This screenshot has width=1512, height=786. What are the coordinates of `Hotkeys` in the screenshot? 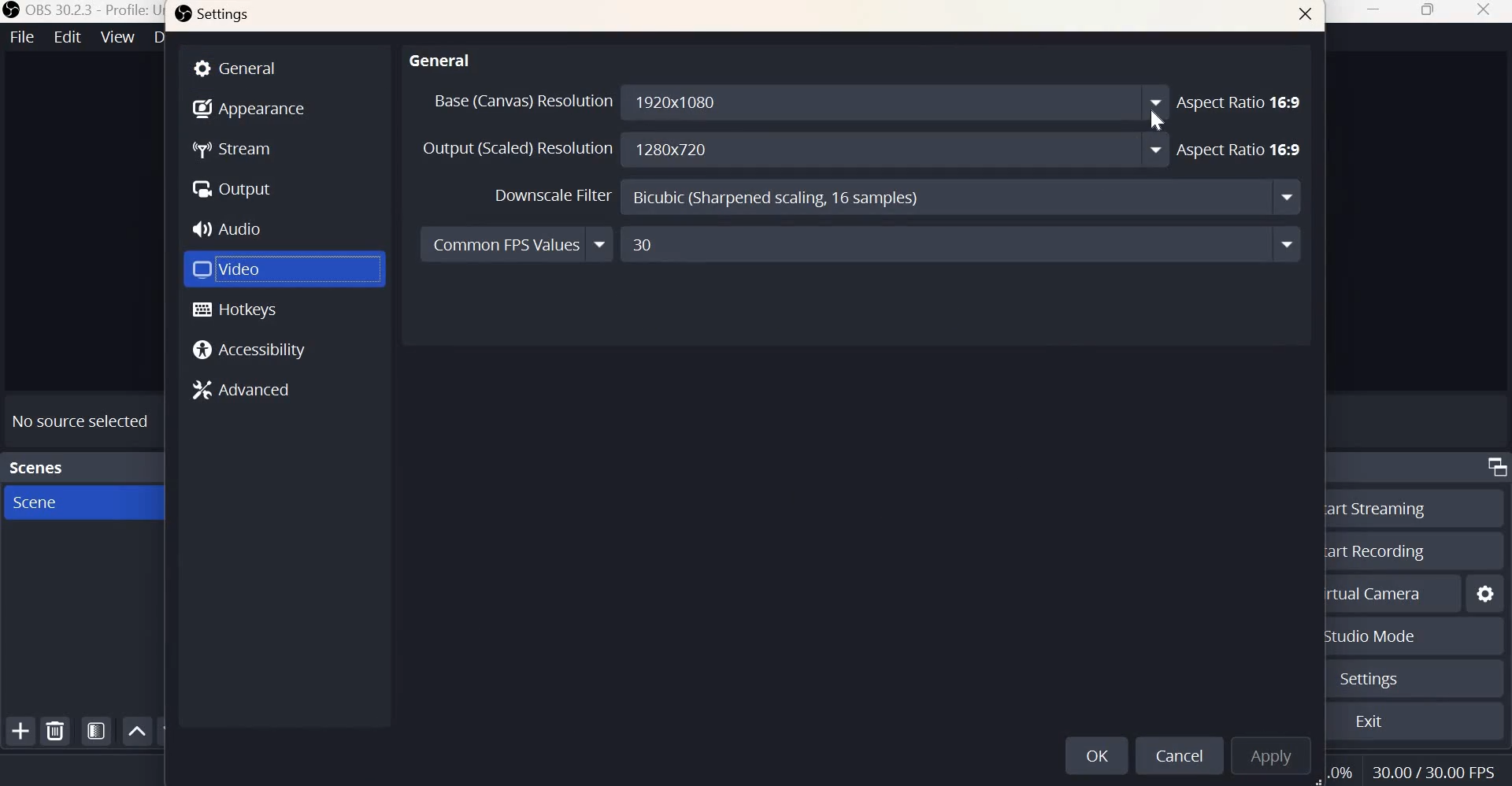 It's located at (235, 310).